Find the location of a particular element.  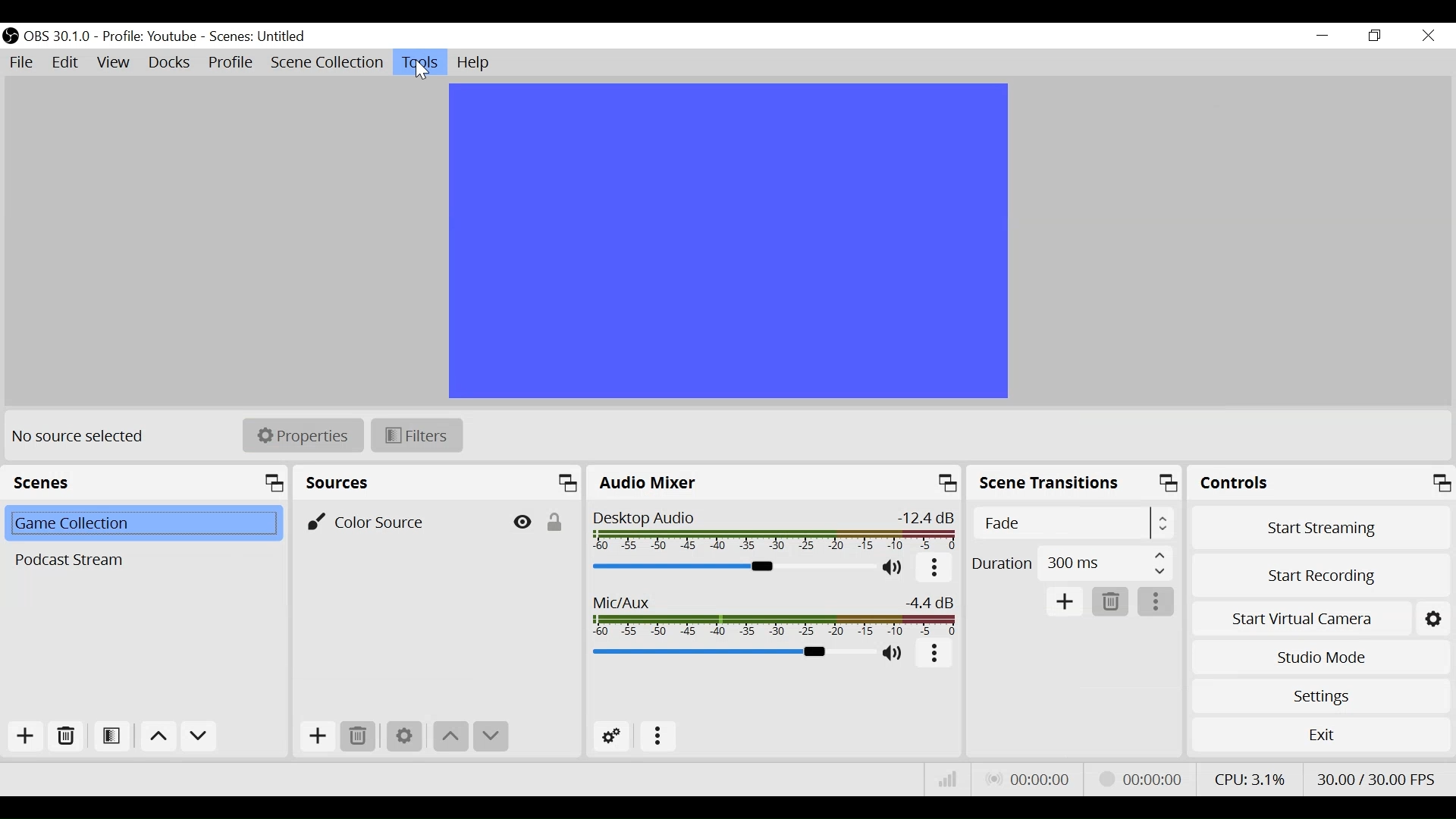

Delete  is located at coordinates (1112, 602).